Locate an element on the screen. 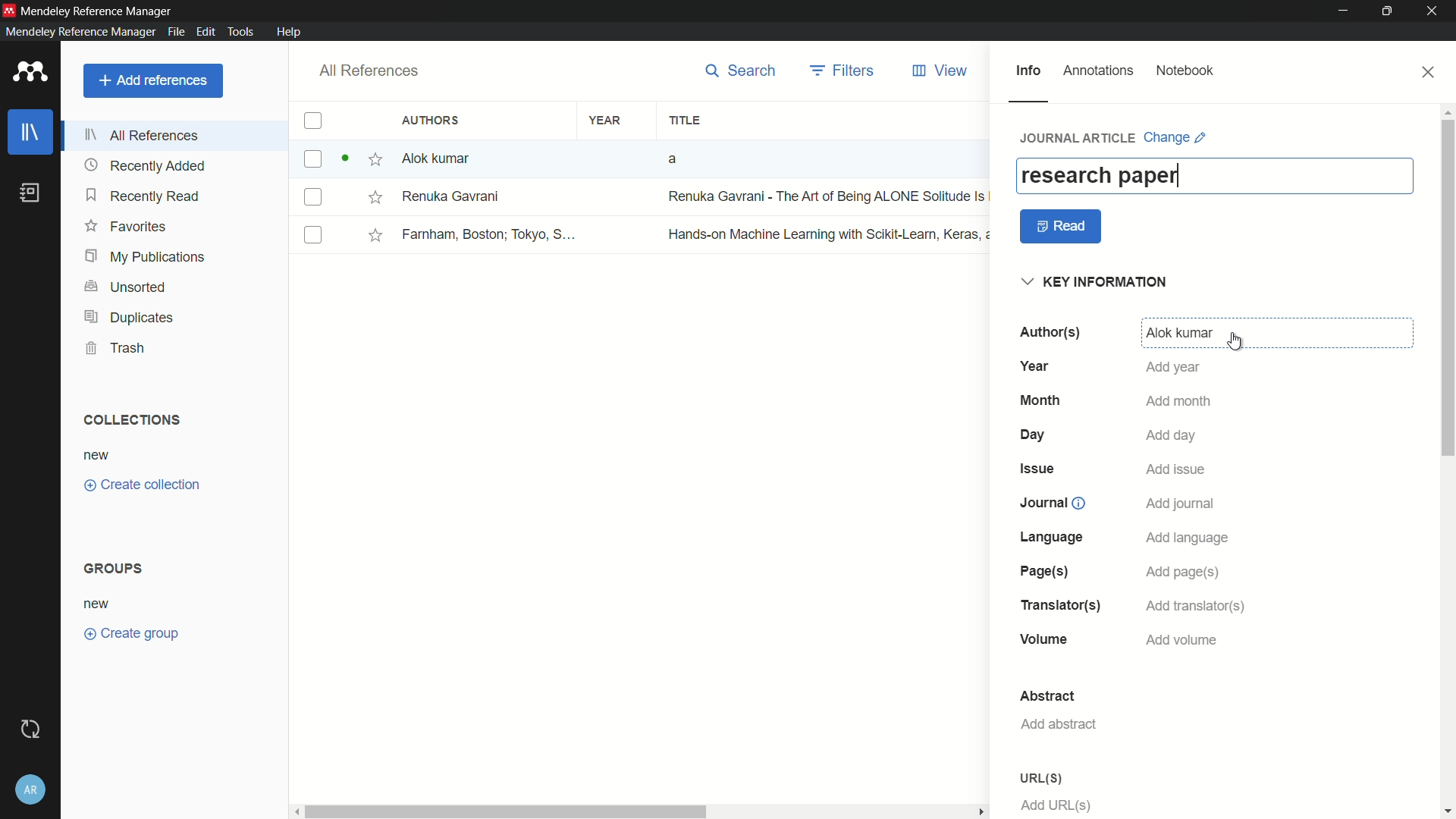 This screenshot has width=1456, height=819. collections is located at coordinates (130, 420).